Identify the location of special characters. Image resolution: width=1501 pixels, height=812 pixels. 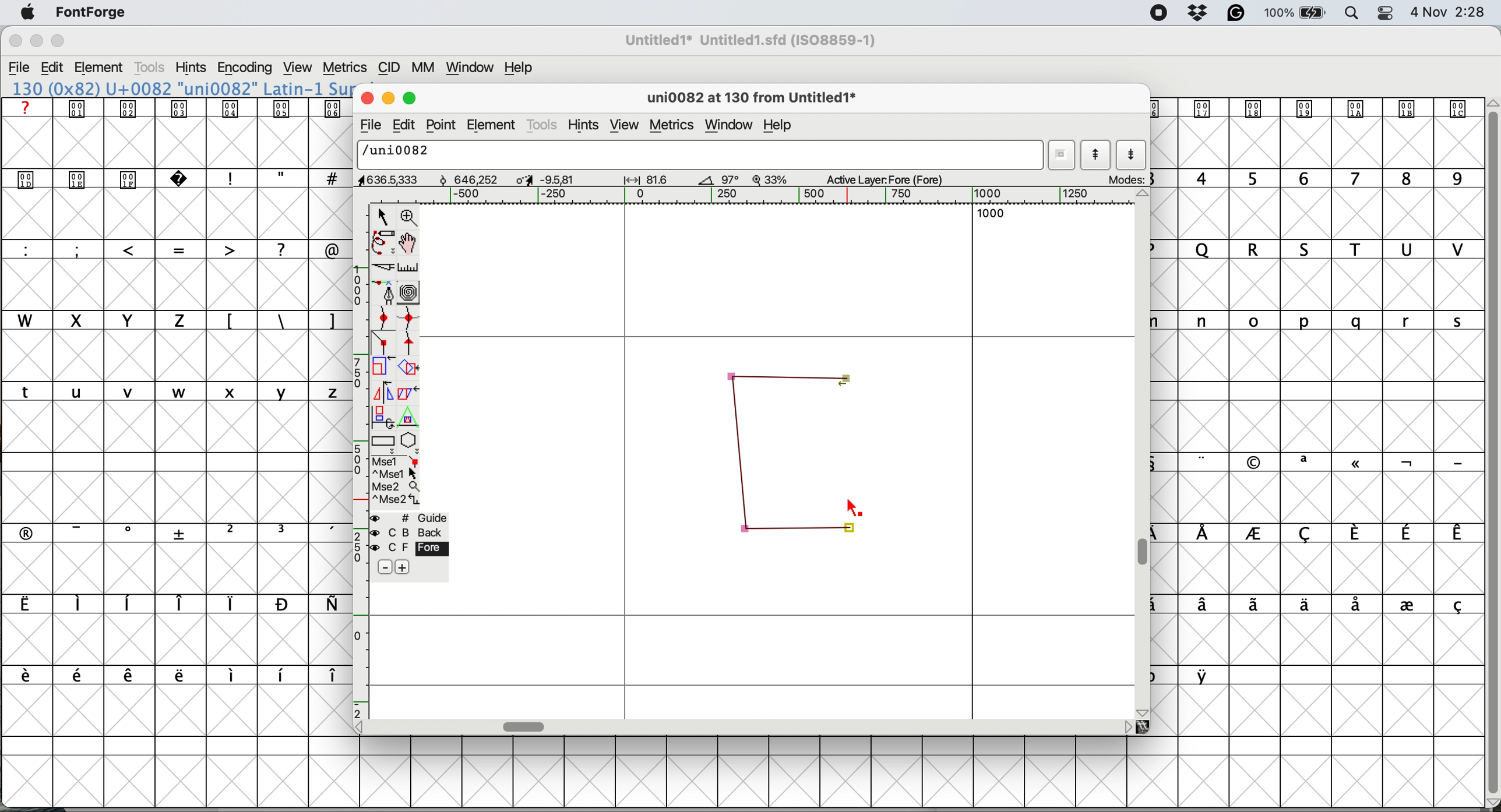
(177, 249).